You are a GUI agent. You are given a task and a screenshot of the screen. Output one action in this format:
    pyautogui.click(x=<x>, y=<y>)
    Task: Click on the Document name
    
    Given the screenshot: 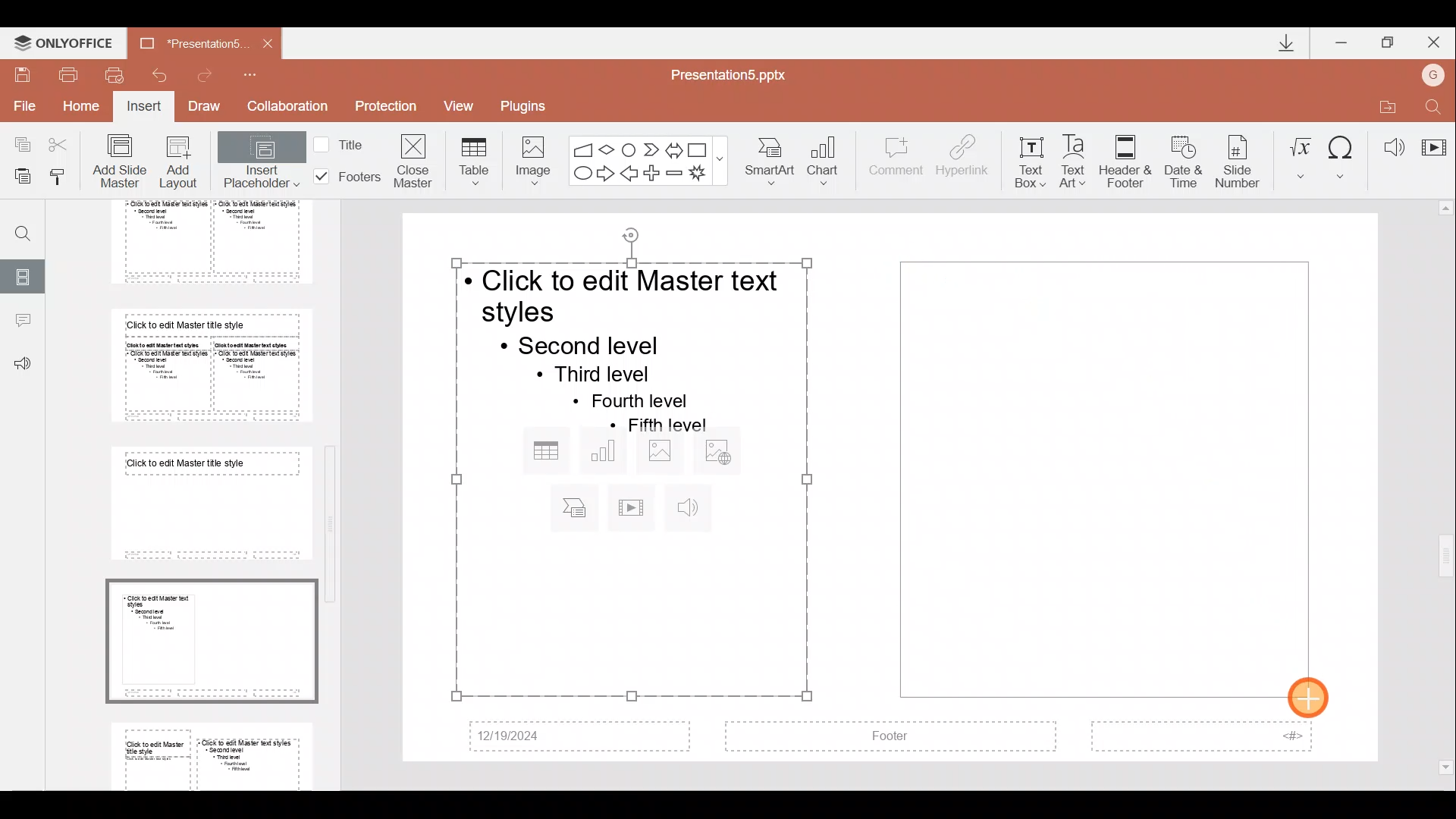 What is the action you would take?
    pyautogui.click(x=181, y=42)
    